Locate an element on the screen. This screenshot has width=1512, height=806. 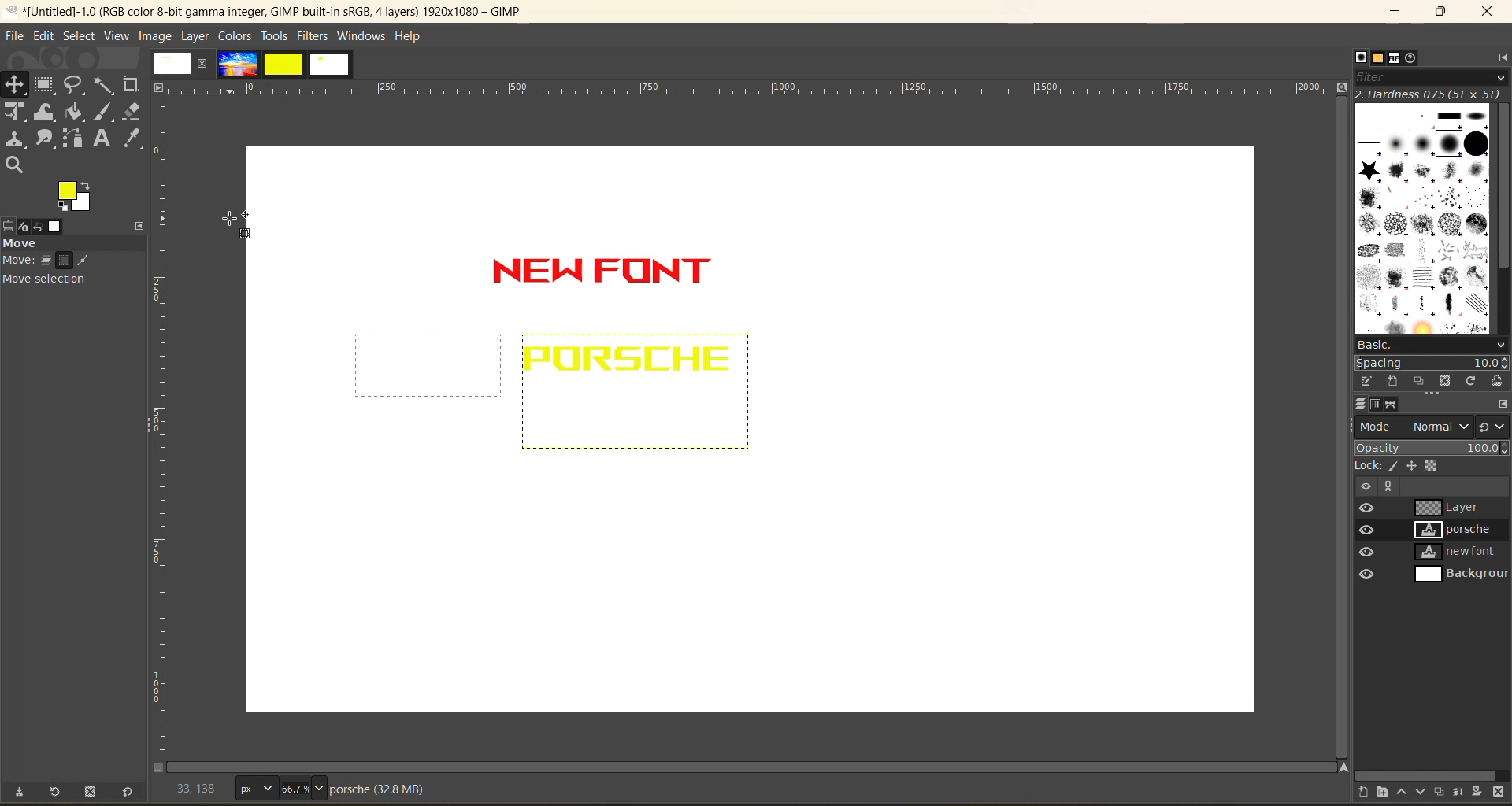
frame is located at coordinates (46, 87).